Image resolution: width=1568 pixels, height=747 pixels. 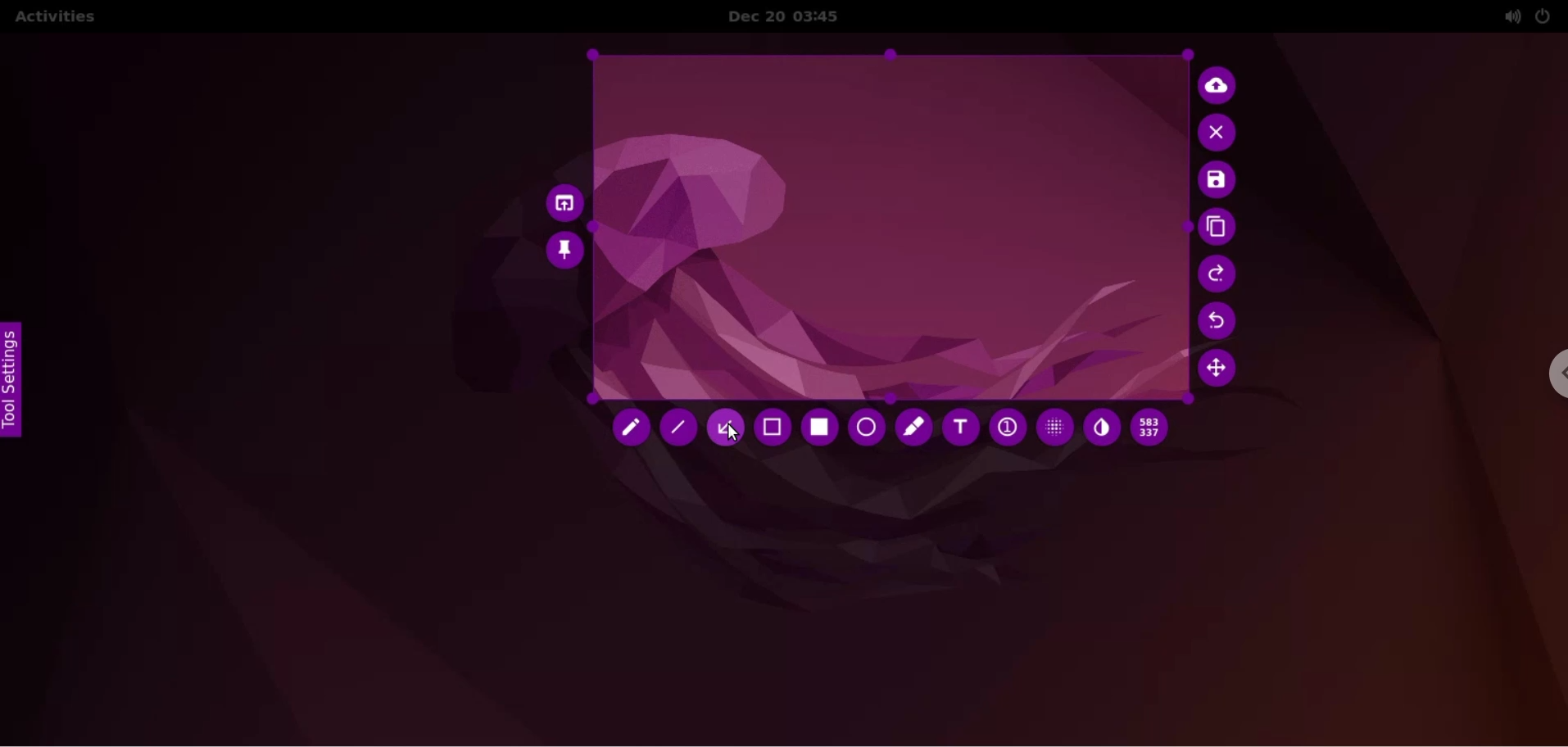 I want to click on auto increment , so click(x=1006, y=429).